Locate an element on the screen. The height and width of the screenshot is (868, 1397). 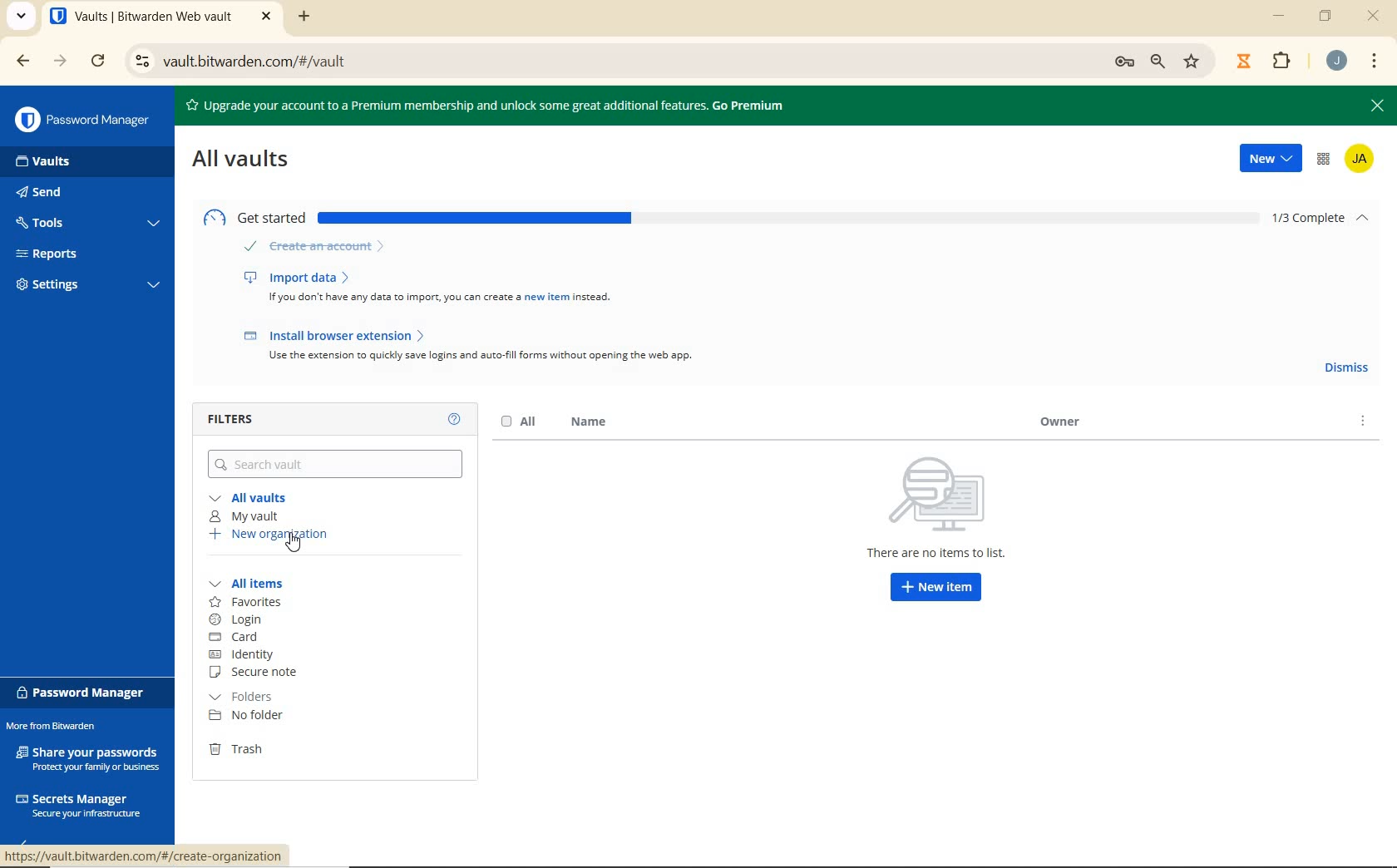
secrets manager is located at coordinates (78, 803).